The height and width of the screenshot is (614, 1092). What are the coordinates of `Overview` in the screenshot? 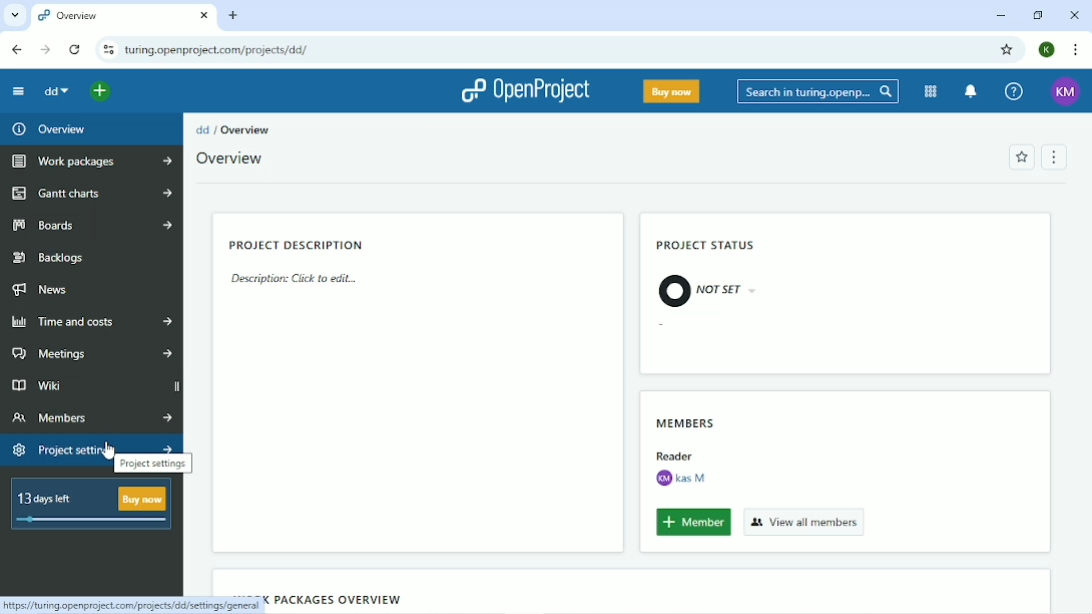 It's located at (231, 157).